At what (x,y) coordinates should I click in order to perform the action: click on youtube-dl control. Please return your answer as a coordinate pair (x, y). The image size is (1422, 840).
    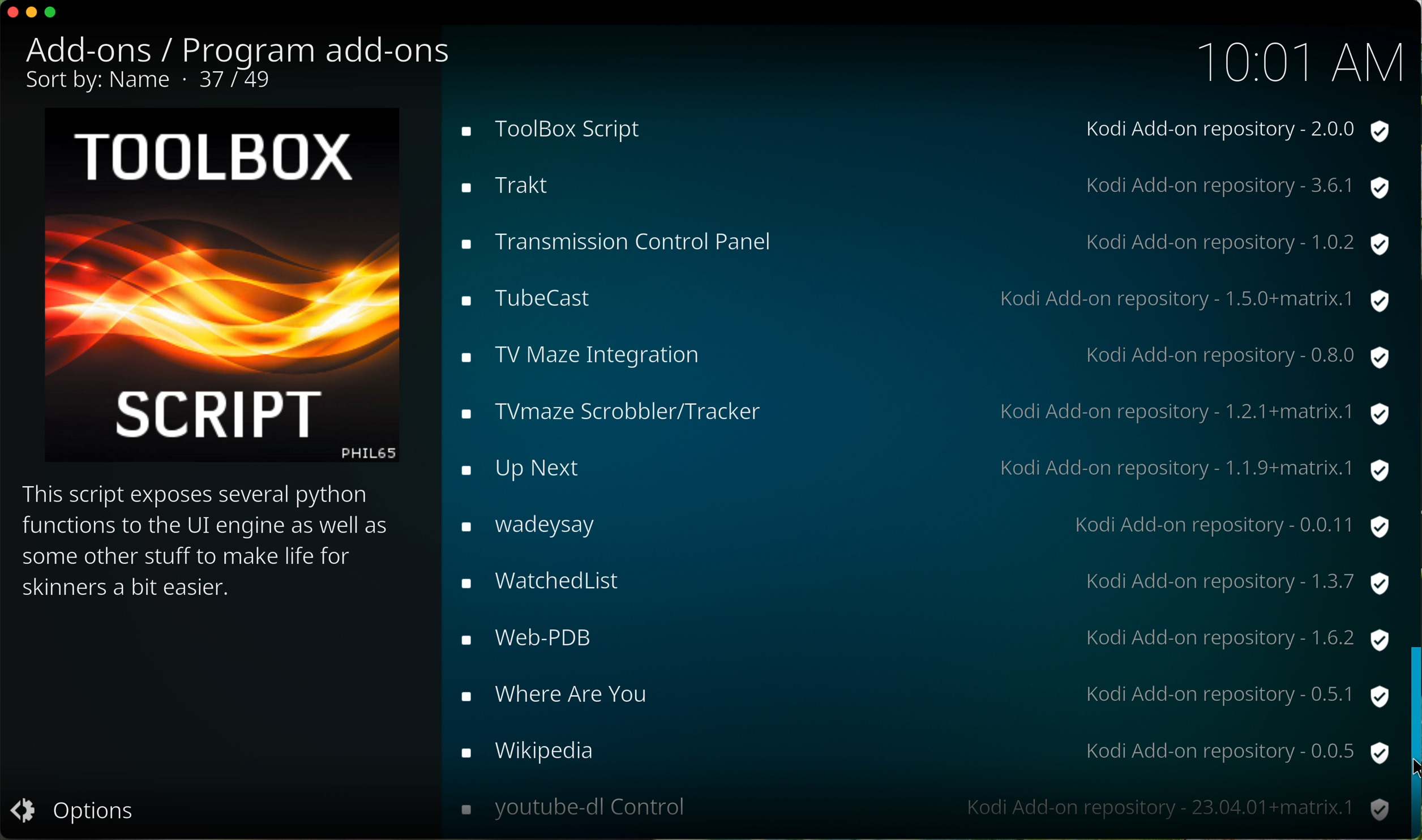
    Looking at the image, I should click on (922, 808).